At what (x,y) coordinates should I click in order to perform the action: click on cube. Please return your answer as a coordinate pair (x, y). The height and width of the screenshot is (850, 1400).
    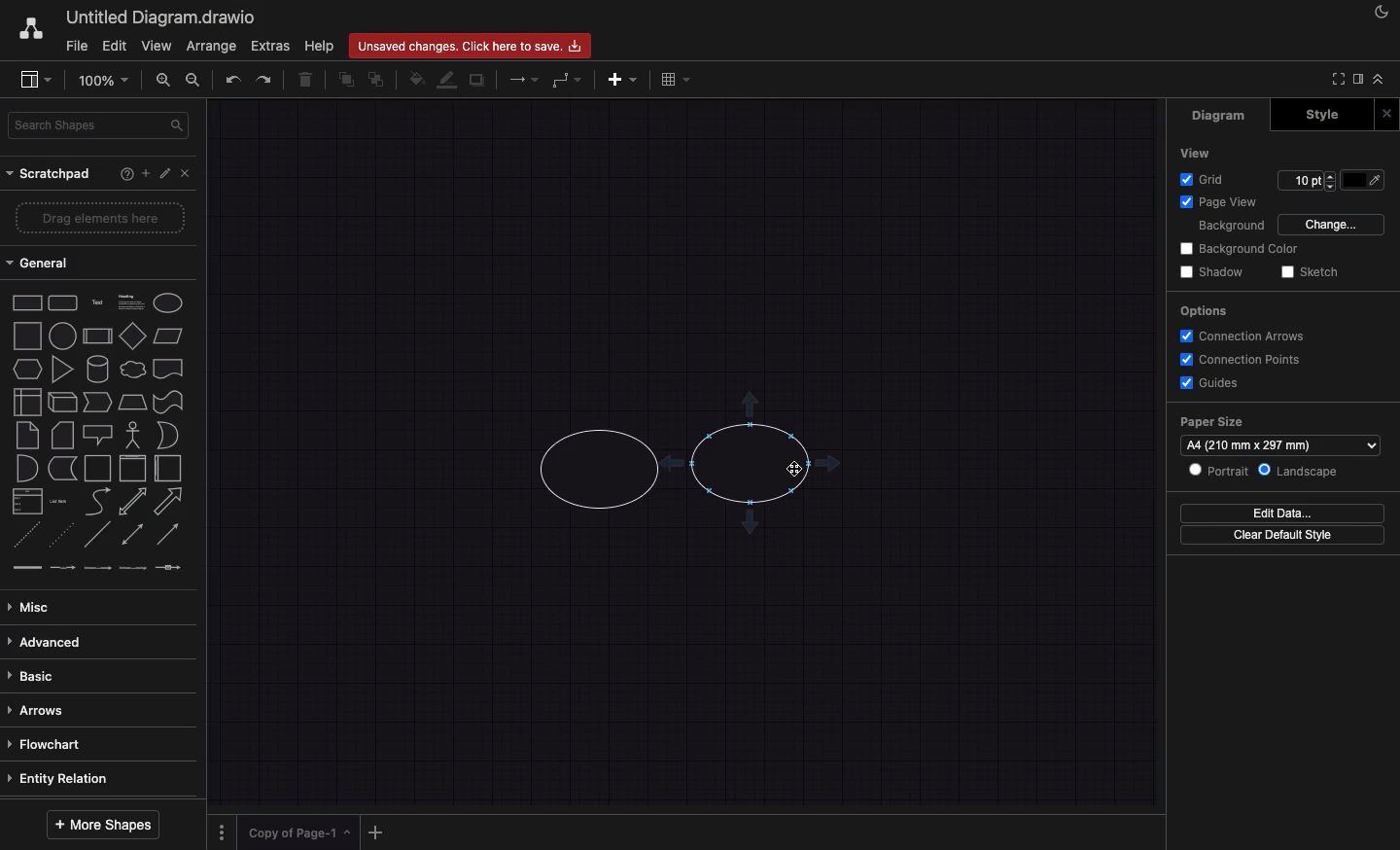
    Looking at the image, I should click on (60, 402).